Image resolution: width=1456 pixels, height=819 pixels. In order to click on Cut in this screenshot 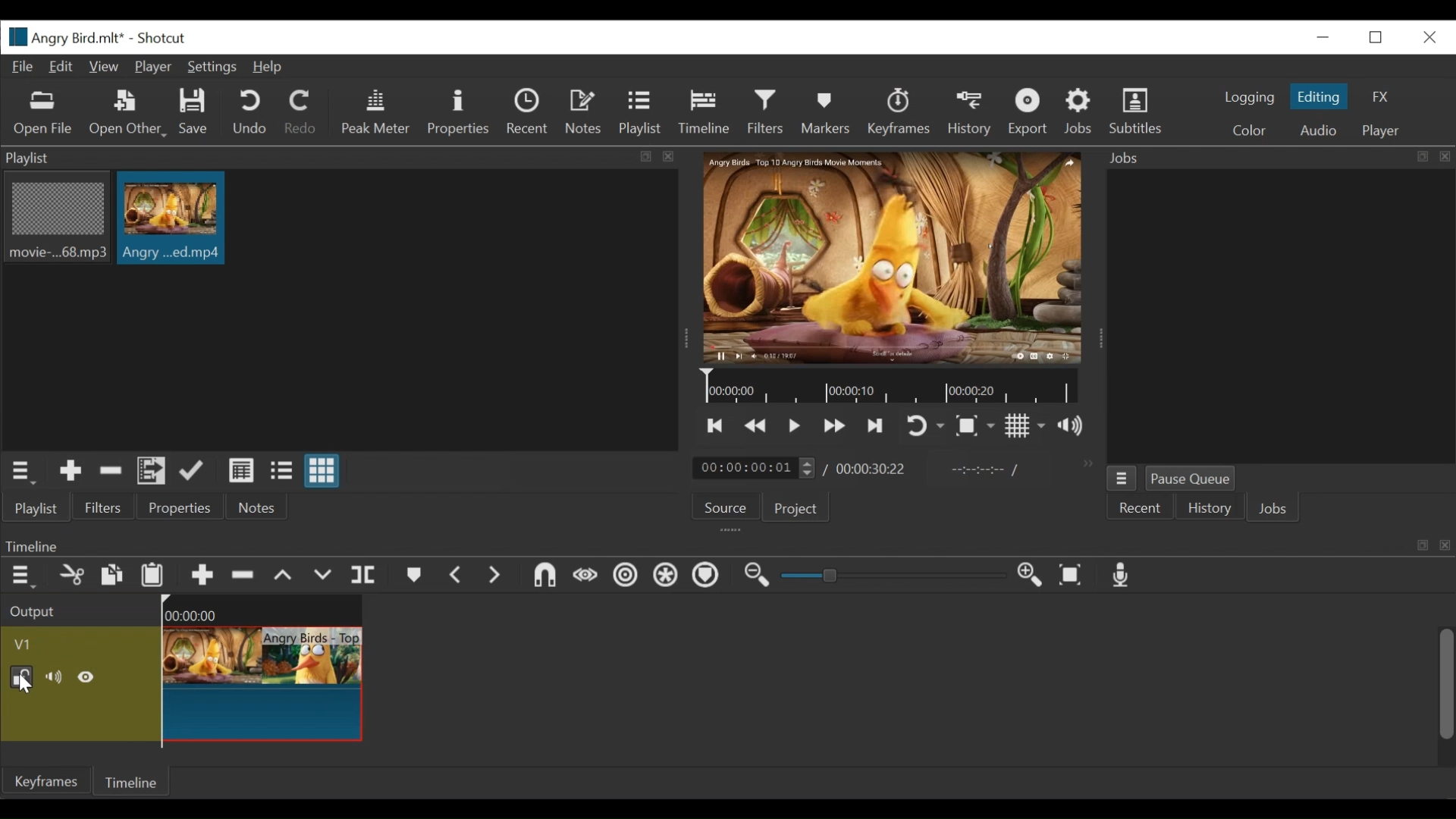, I will do `click(71, 576)`.